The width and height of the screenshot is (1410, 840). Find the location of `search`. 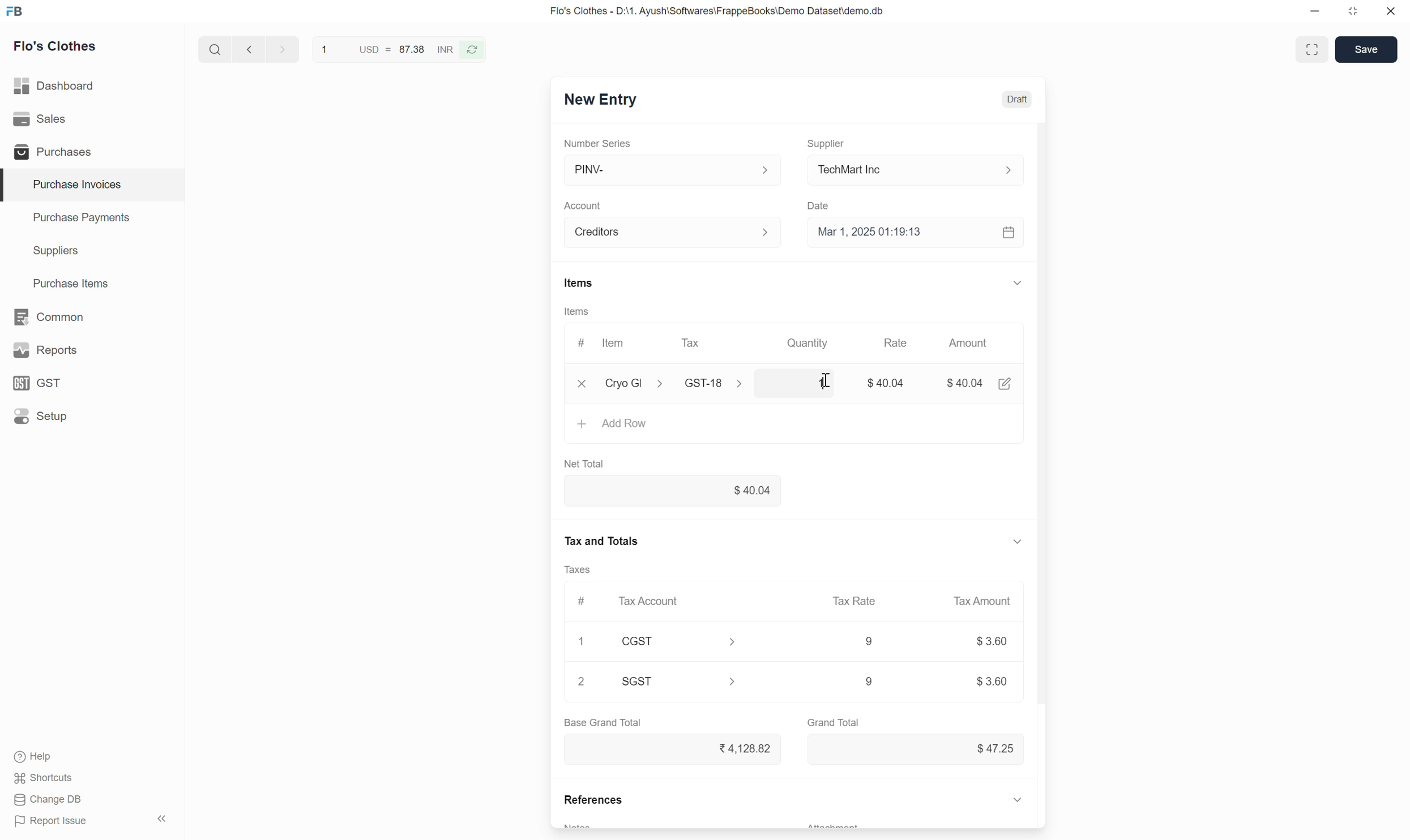

search is located at coordinates (213, 47).